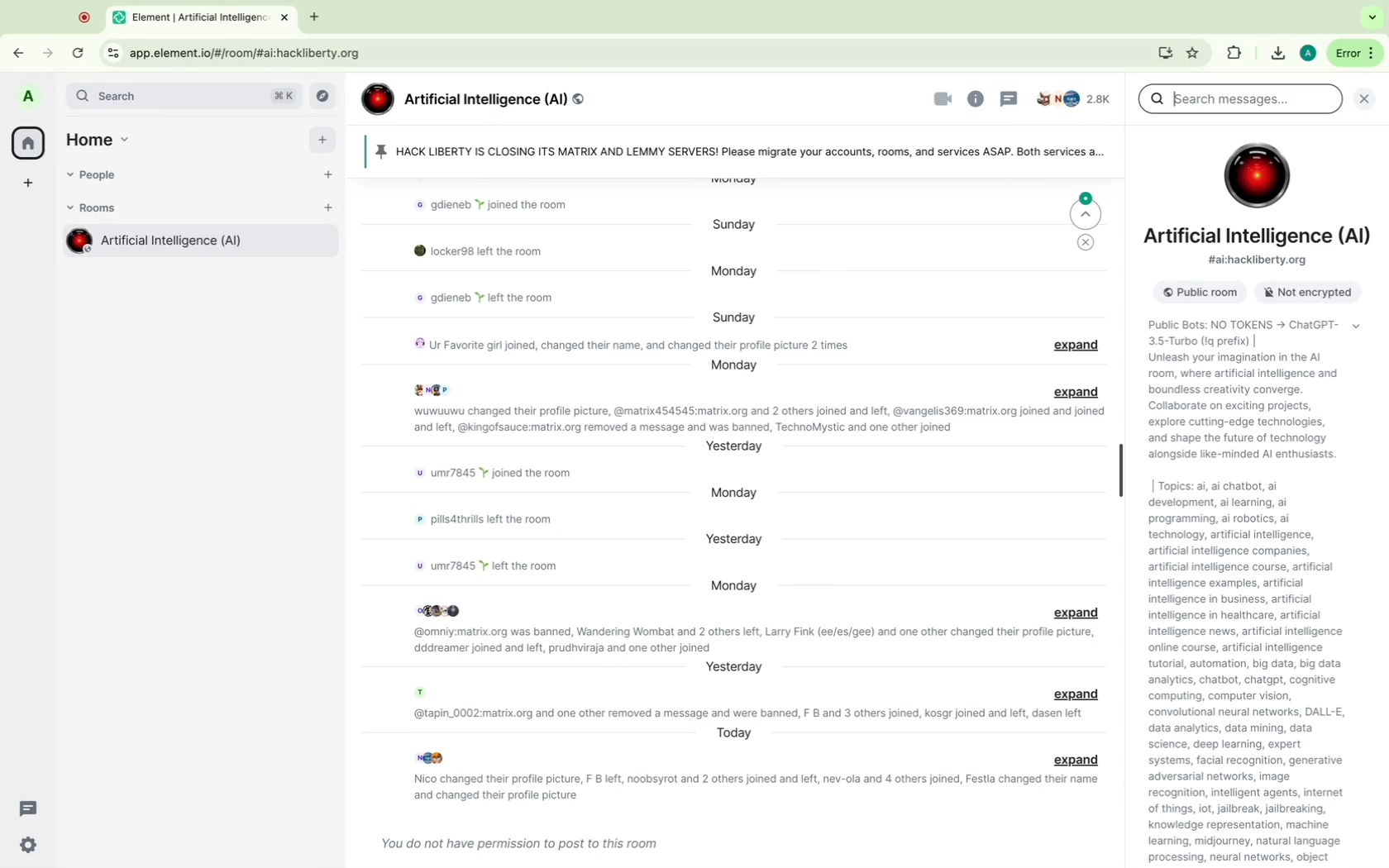  What do you see at coordinates (1009, 98) in the screenshot?
I see `threads` at bounding box center [1009, 98].